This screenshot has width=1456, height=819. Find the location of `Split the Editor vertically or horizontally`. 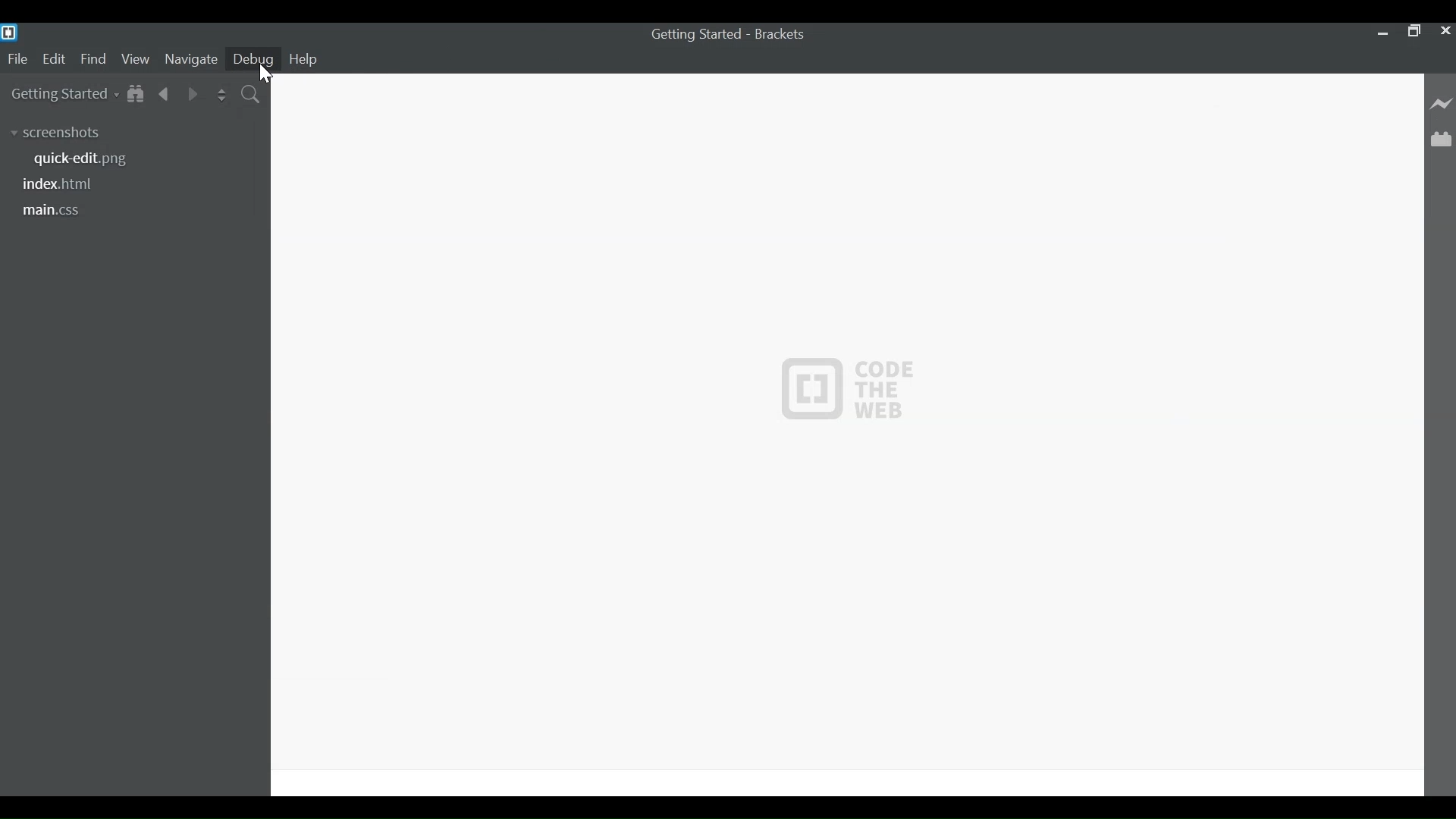

Split the Editor vertically or horizontally is located at coordinates (224, 96).